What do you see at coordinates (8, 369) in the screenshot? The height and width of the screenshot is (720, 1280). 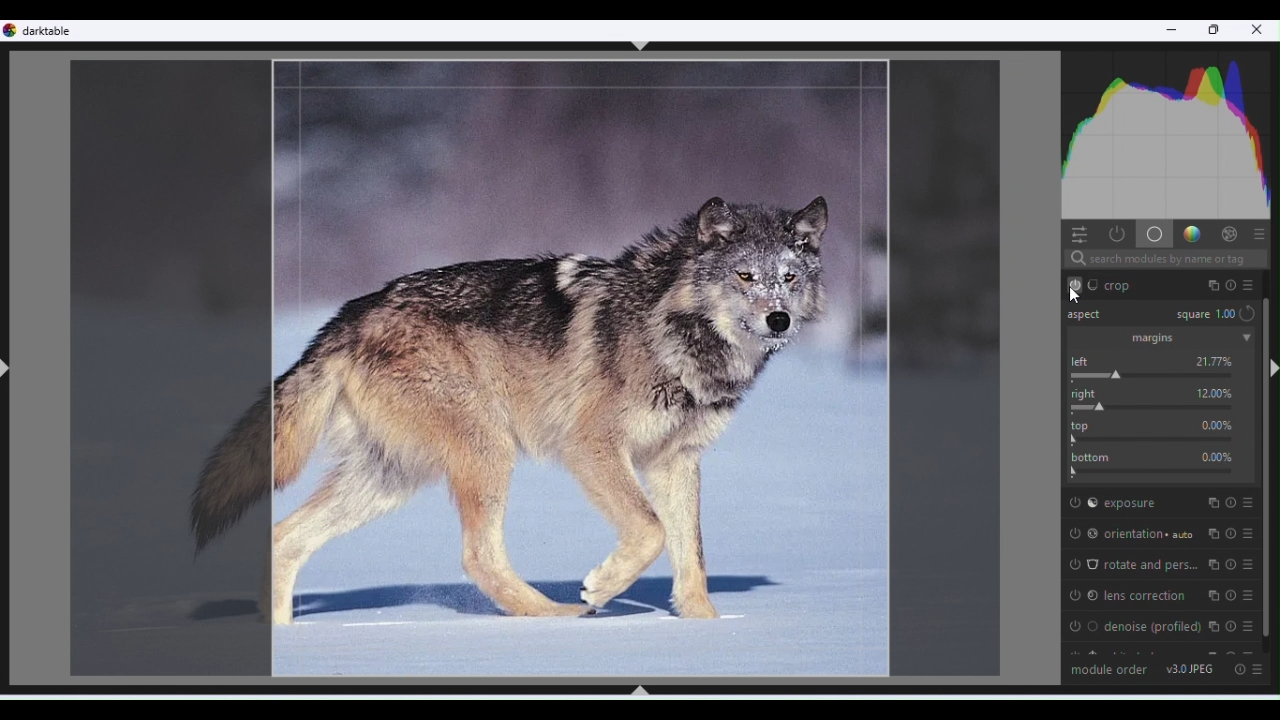 I see `ctrl+shift+l` at bounding box center [8, 369].